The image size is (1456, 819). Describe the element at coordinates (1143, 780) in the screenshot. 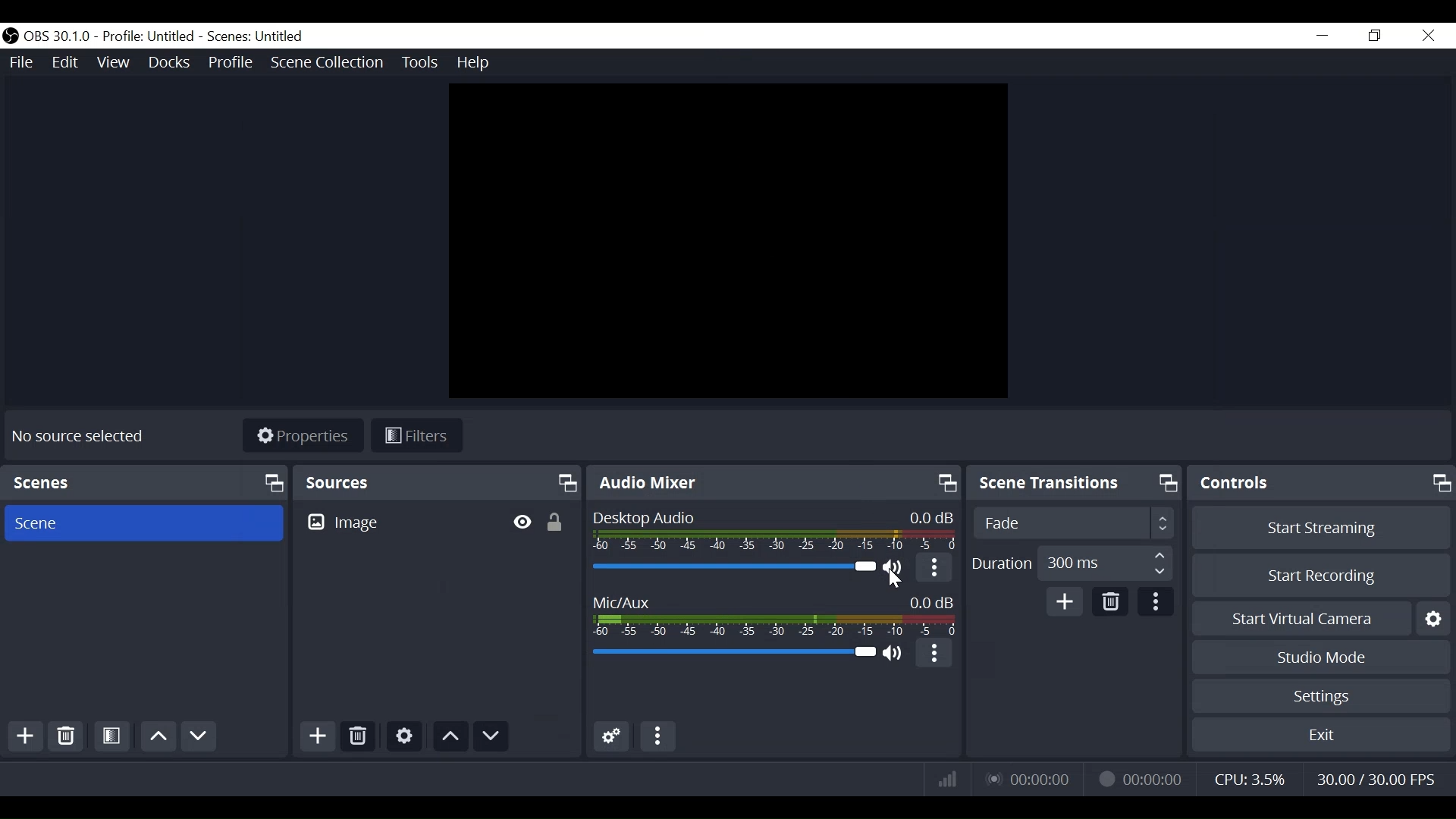

I see `Recording Status` at that location.